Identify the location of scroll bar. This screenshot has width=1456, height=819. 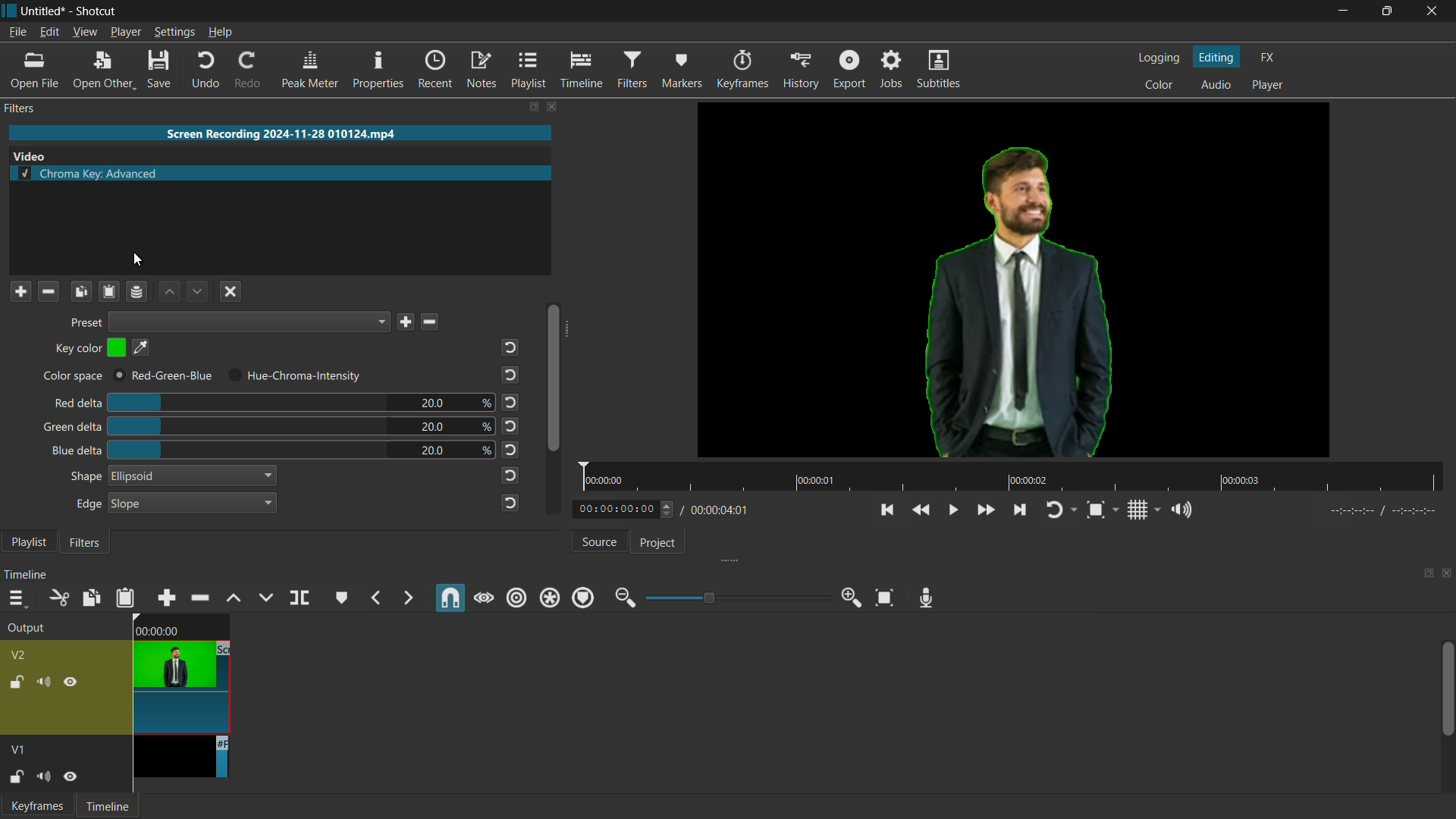
(1447, 689).